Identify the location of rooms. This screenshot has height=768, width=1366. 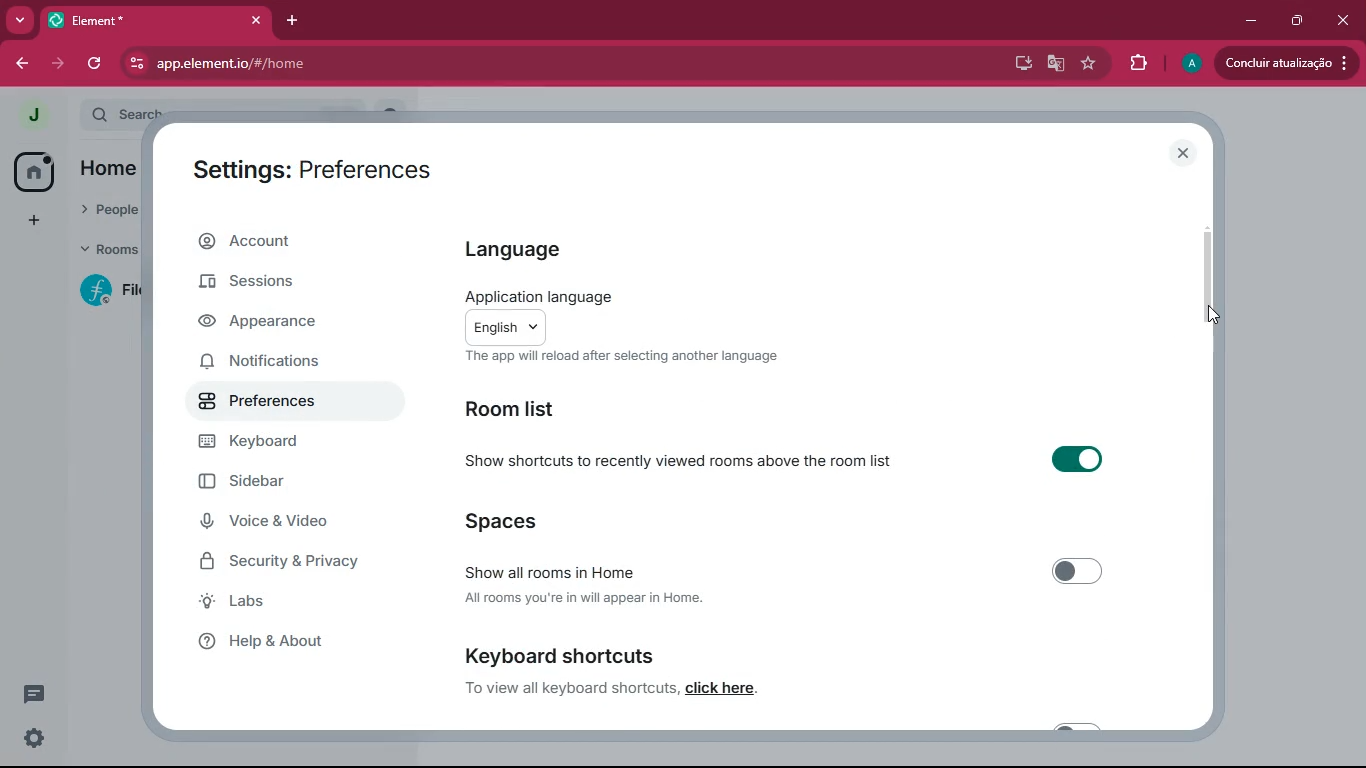
(108, 252).